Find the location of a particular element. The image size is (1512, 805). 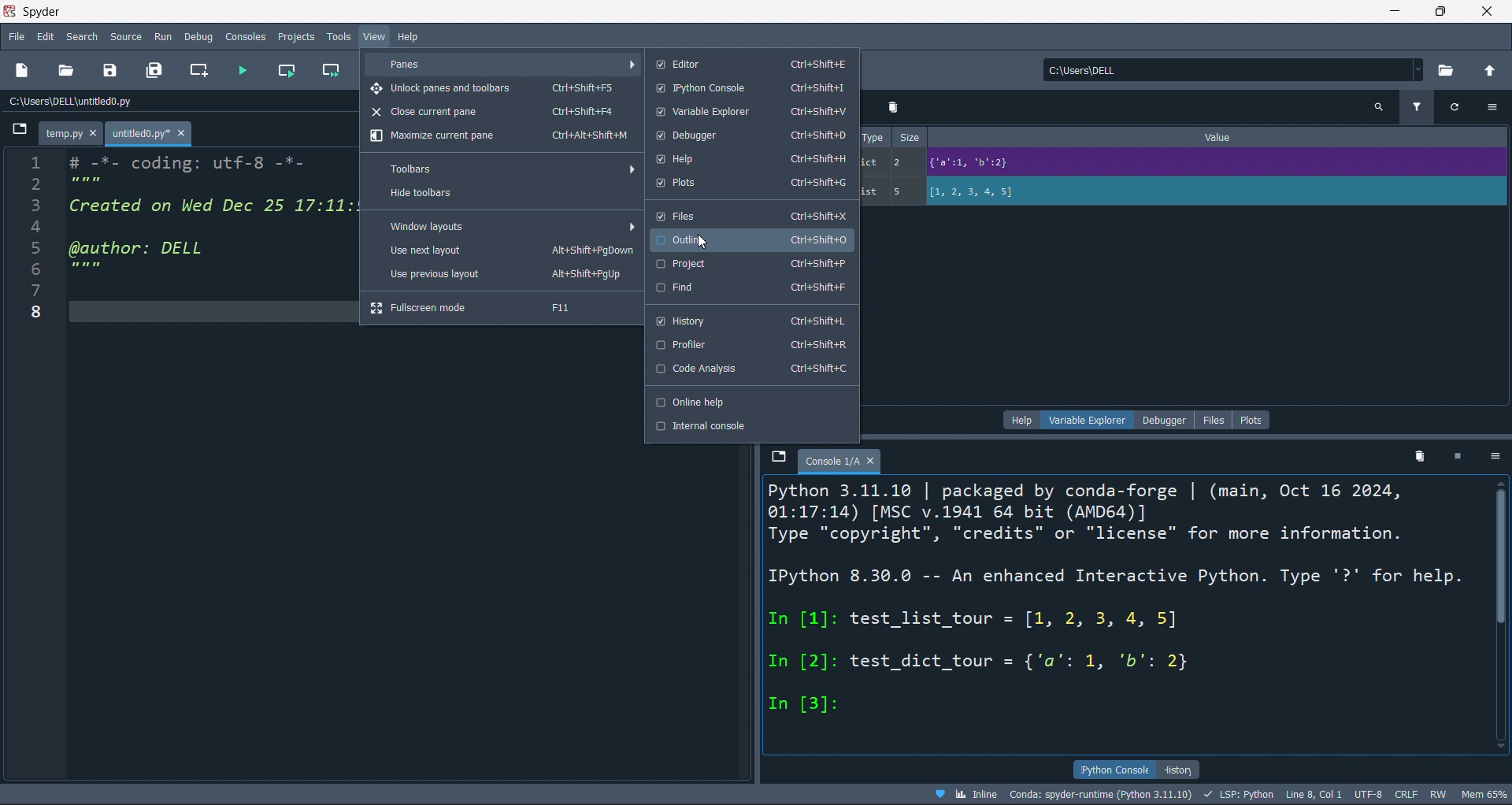

delete is located at coordinates (893, 108).